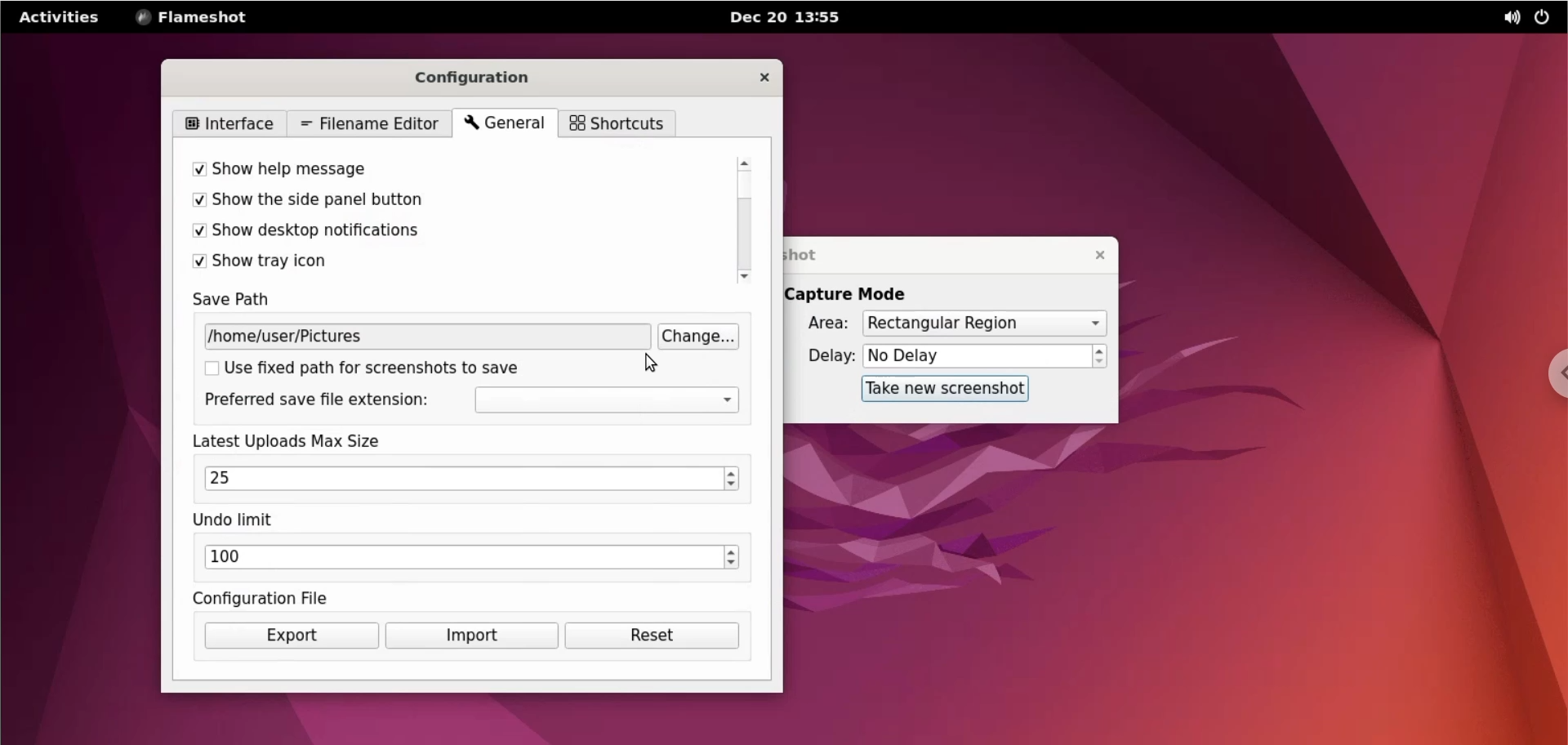 This screenshot has width=1568, height=745. I want to click on delay:, so click(822, 355).